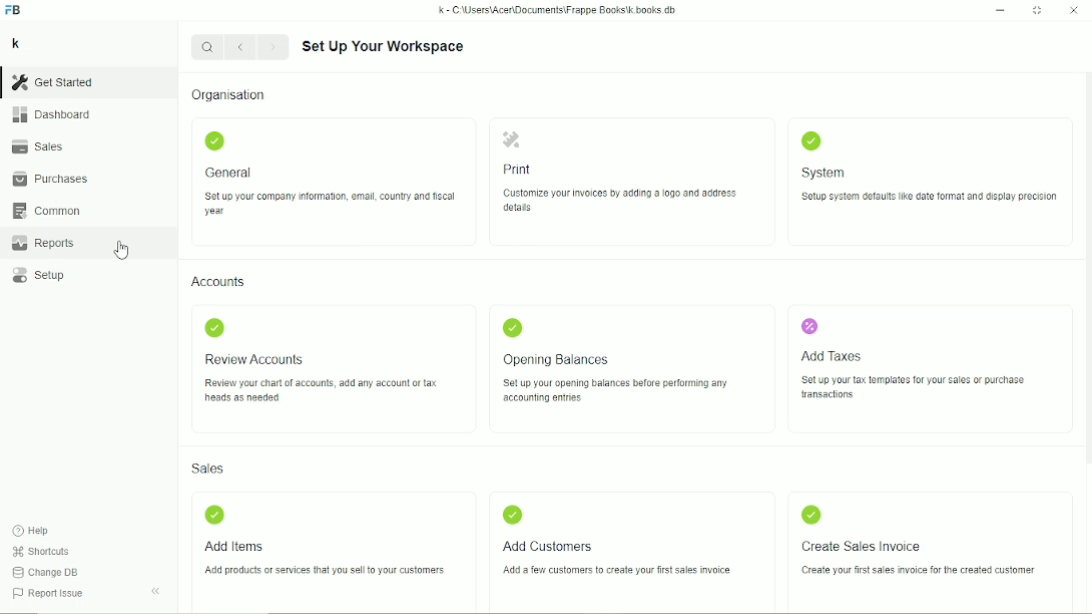 The width and height of the screenshot is (1092, 614). What do you see at coordinates (326, 172) in the screenshot?
I see `General  set up your company information, email, country and fiscal year.` at bounding box center [326, 172].